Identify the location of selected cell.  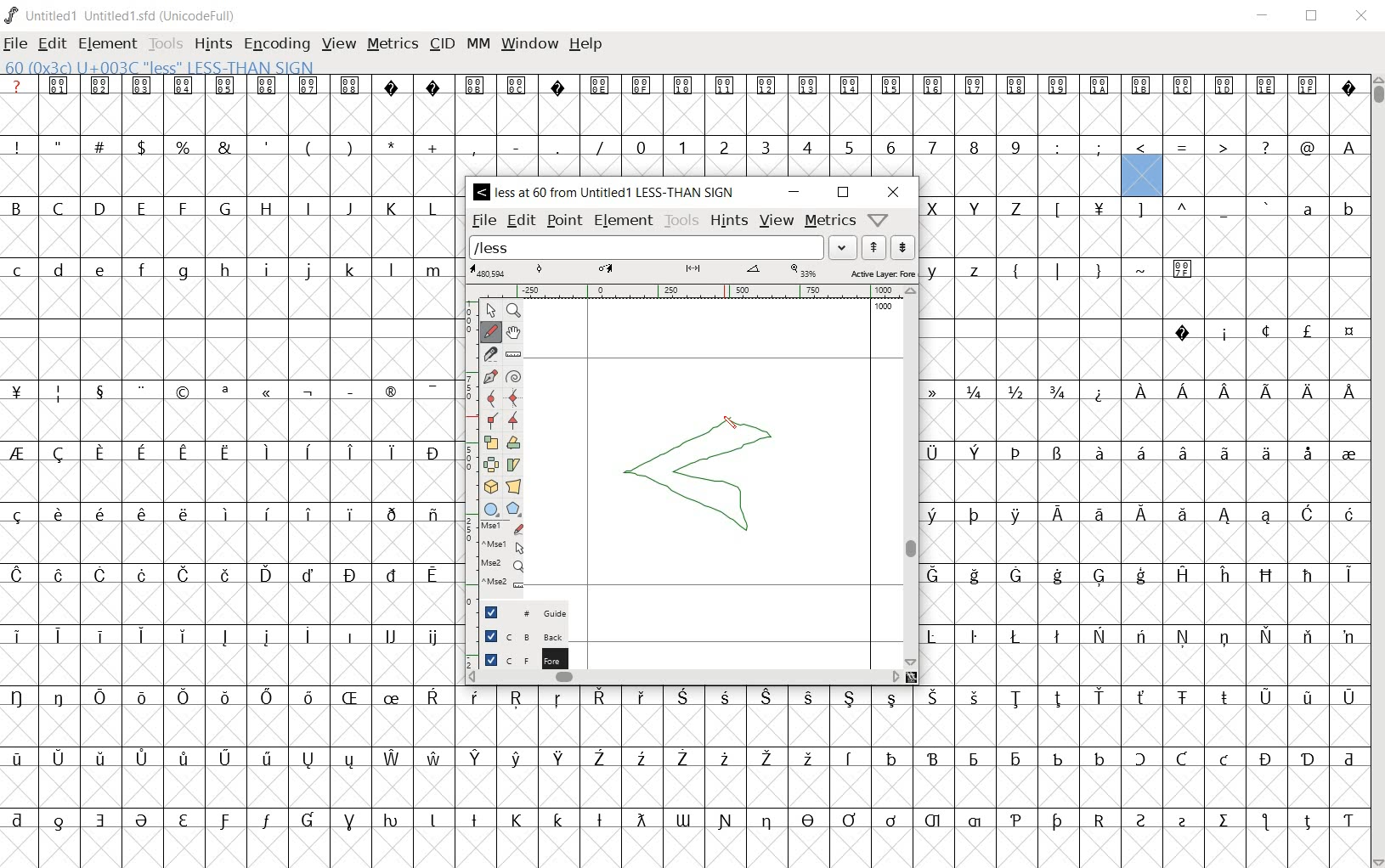
(1141, 178).